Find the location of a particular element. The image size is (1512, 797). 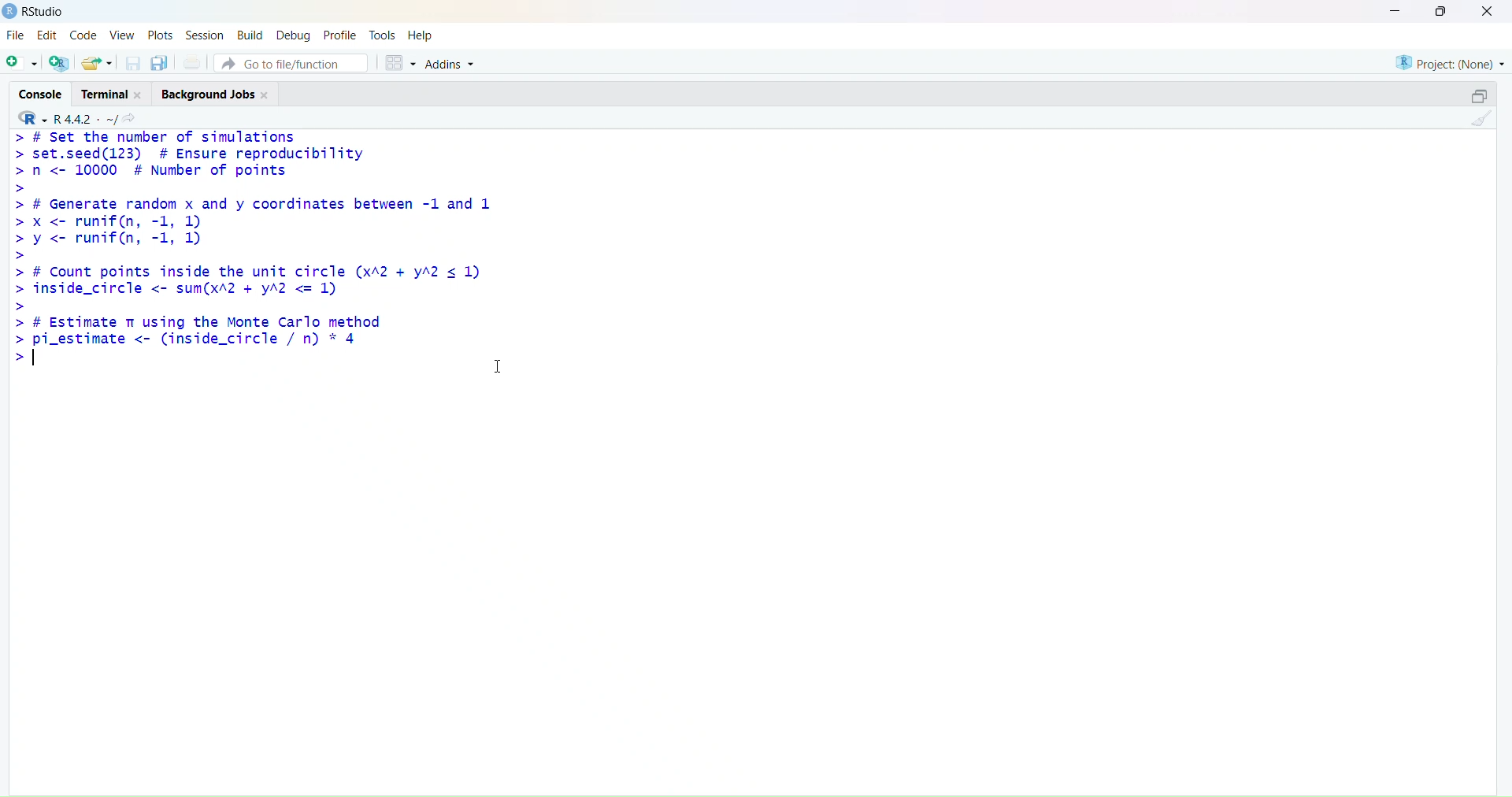

Terminal is located at coordinates (113, 94).